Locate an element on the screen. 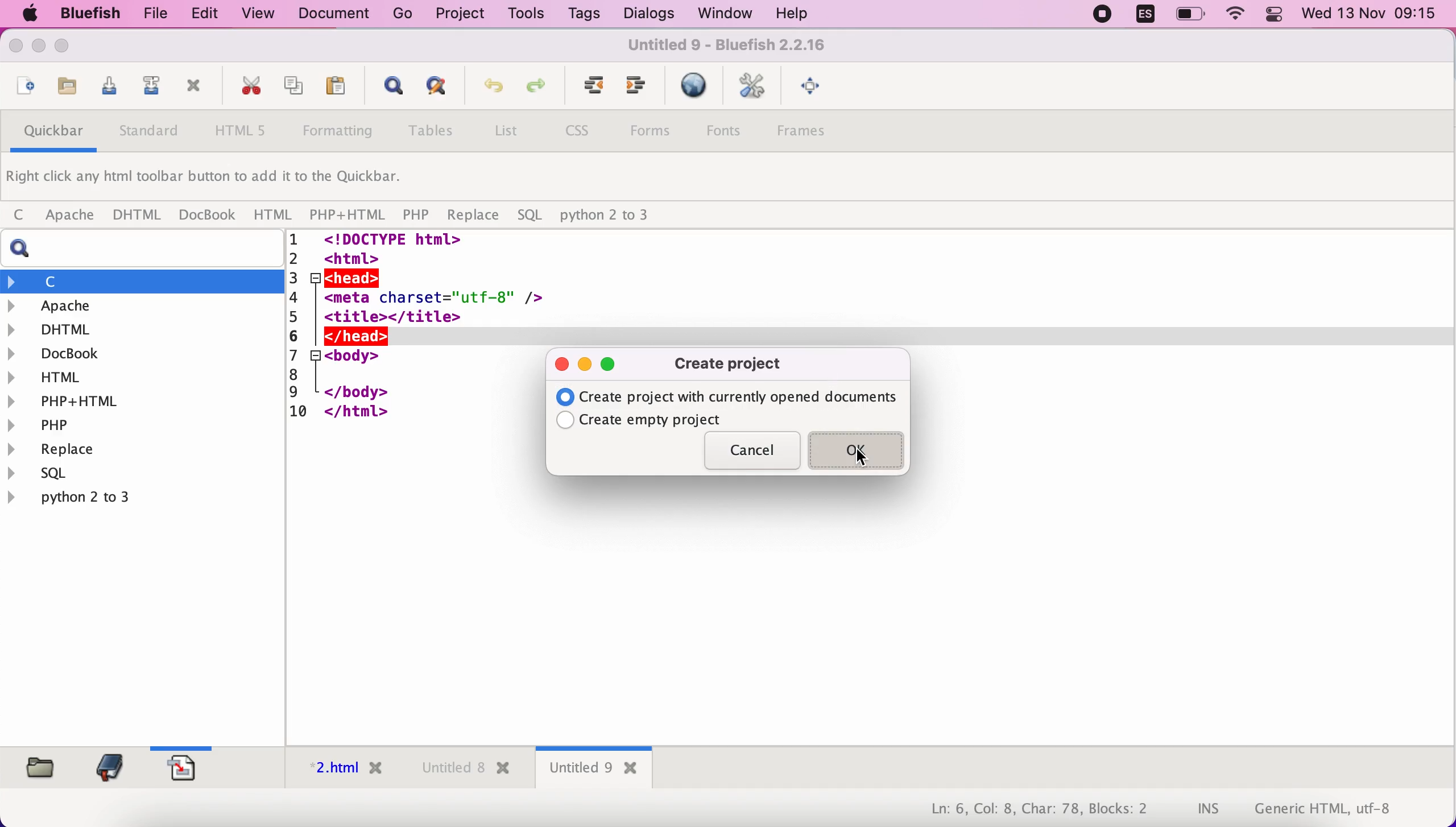 This screenshot has width=1456, height=827. fonts is located at coordinates (729, 130).